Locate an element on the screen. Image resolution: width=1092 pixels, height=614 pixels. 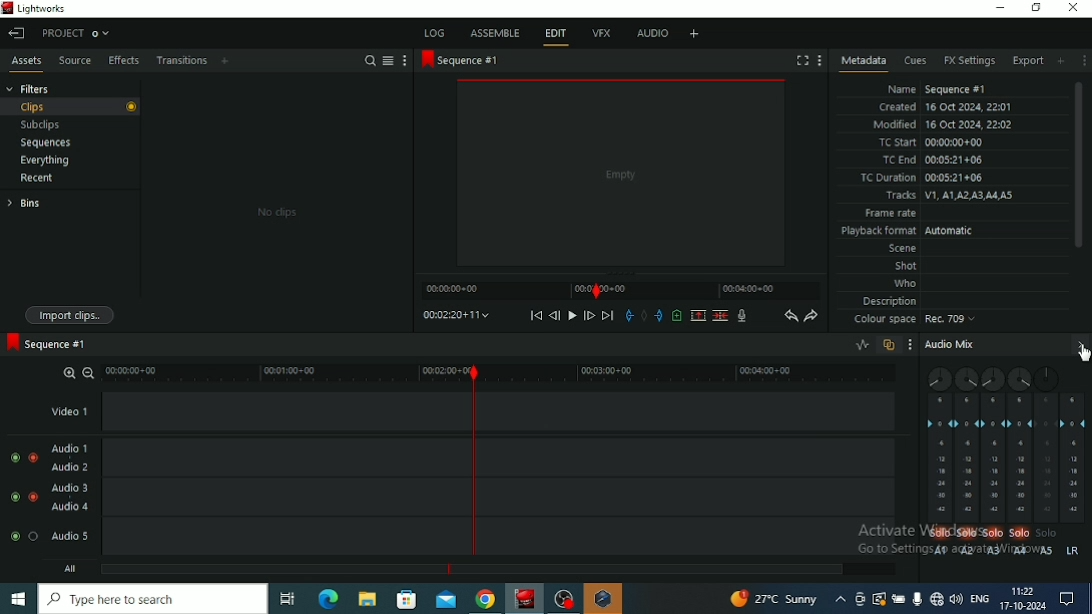
A1 is located at coordinates (941, 554).